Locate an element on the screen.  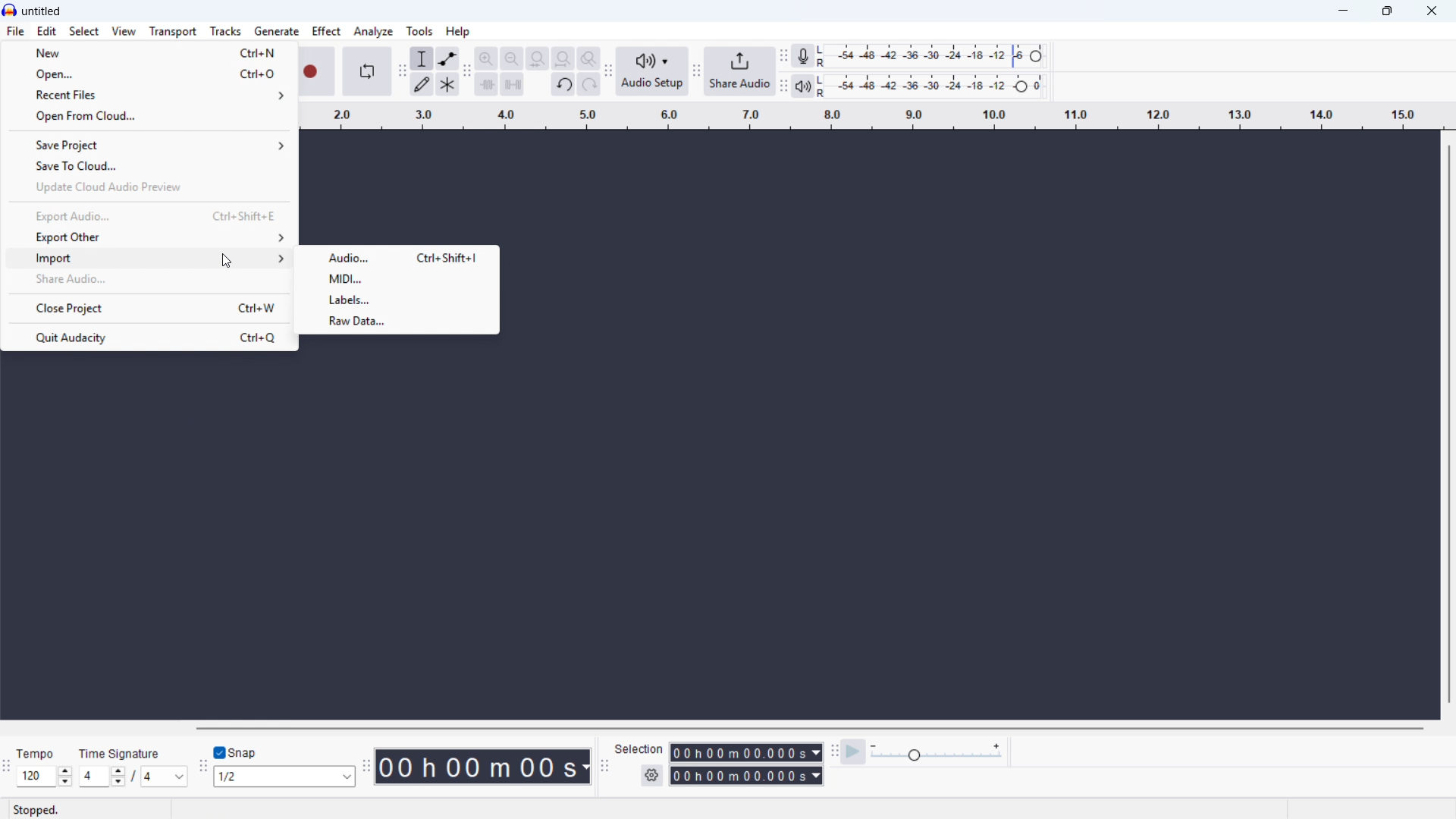
Zoom in  is located at coordinates (487, 58).